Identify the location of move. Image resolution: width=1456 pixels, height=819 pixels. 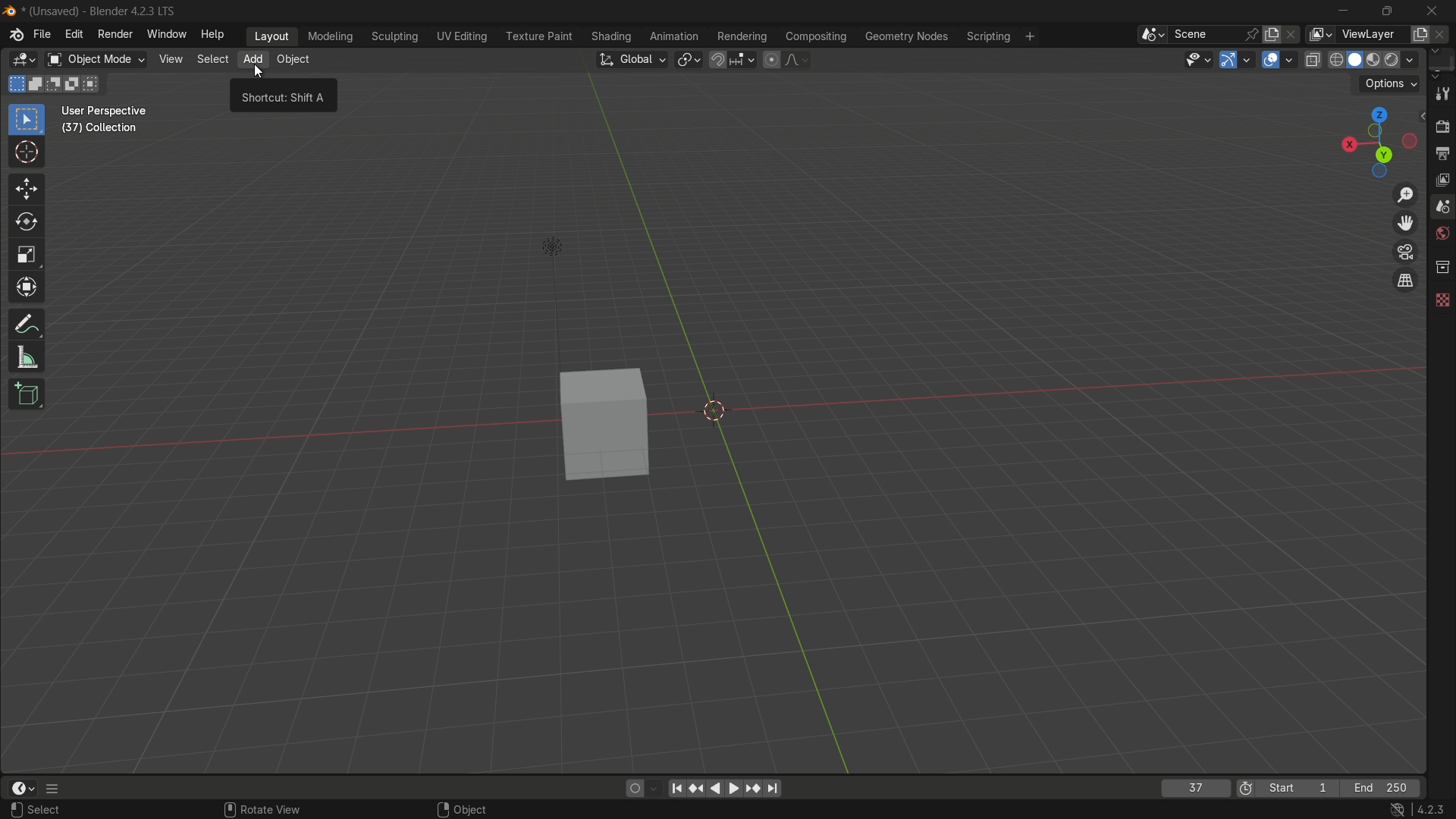
(26, 188).